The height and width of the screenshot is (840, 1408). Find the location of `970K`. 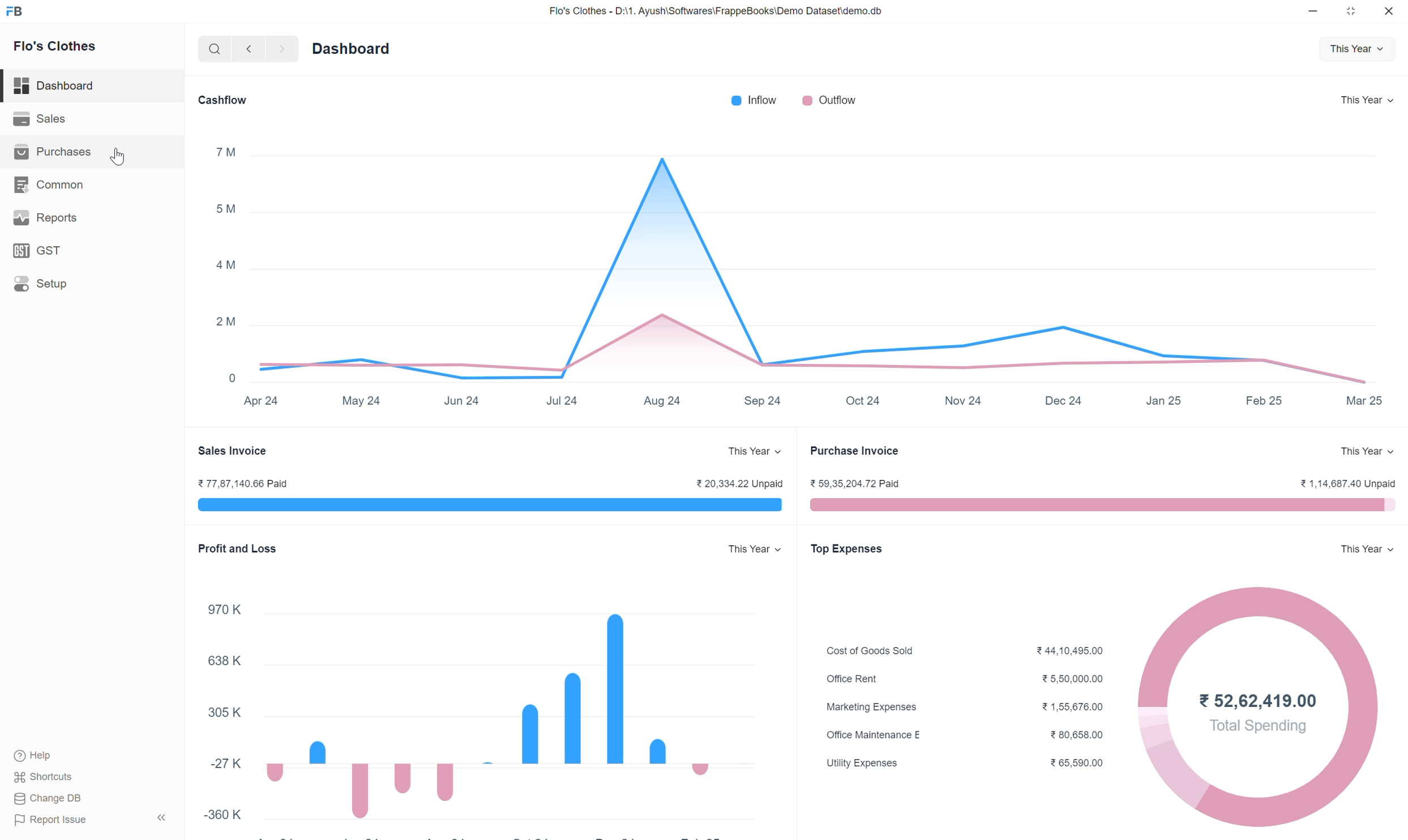

970K is located at coordinates (224, 610).